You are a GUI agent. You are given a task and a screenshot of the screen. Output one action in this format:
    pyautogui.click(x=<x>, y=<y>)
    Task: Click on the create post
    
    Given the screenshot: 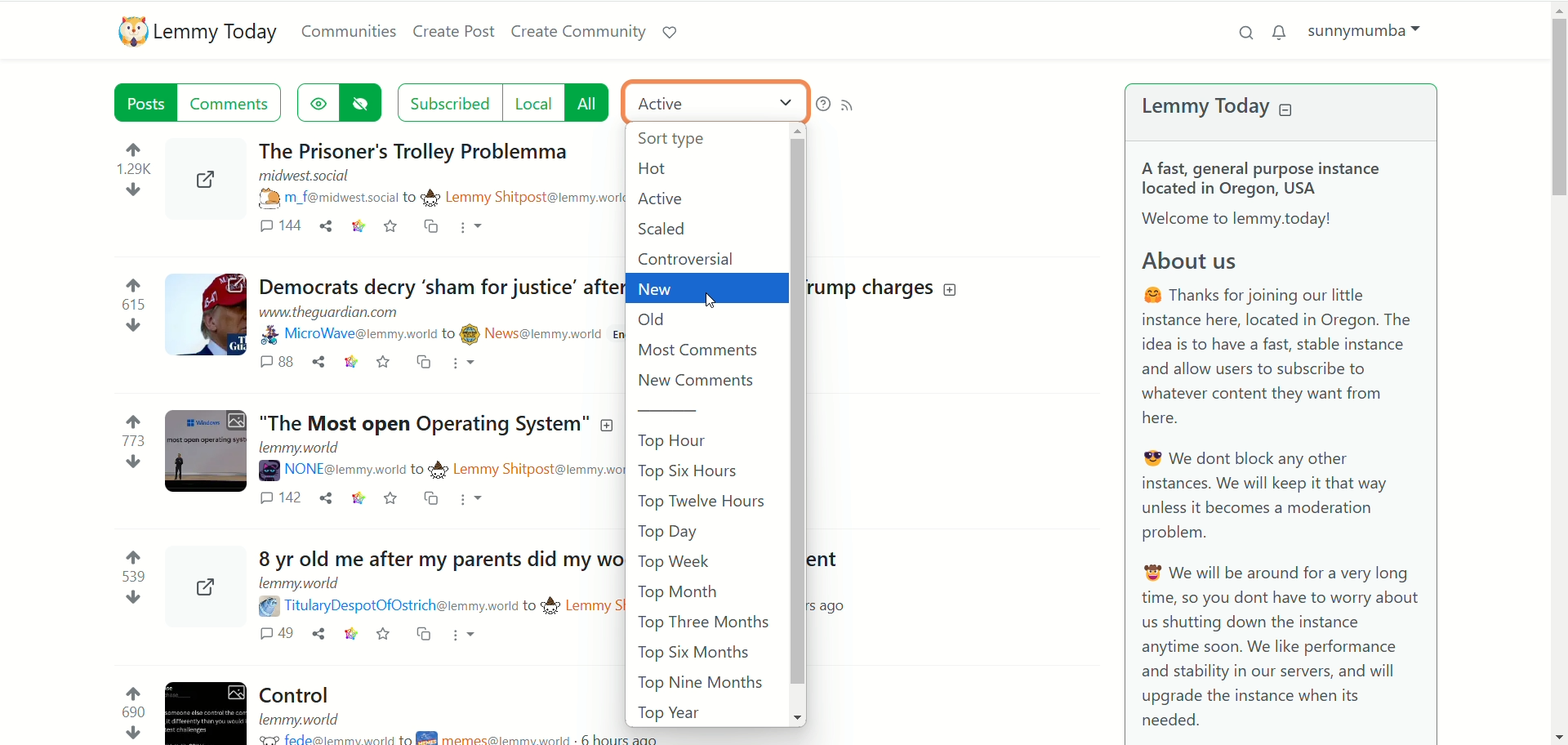 What is the action you would take?
    pyautogui.click(x=457, y=33)
    